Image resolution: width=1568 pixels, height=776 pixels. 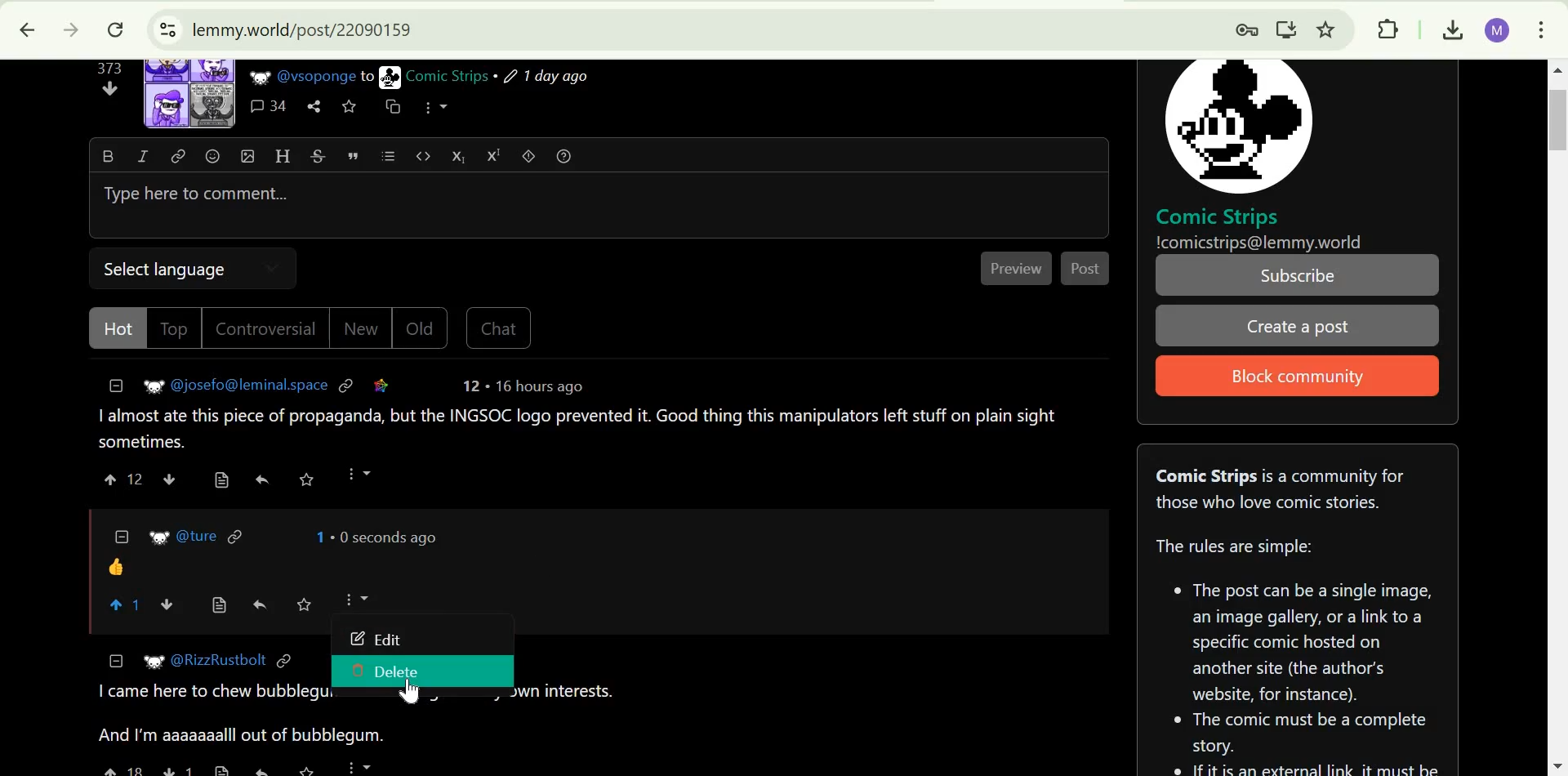 What do you see at coordinates (306, 479) in the screenshot?
I see `save` at bounding box center [306, 479].